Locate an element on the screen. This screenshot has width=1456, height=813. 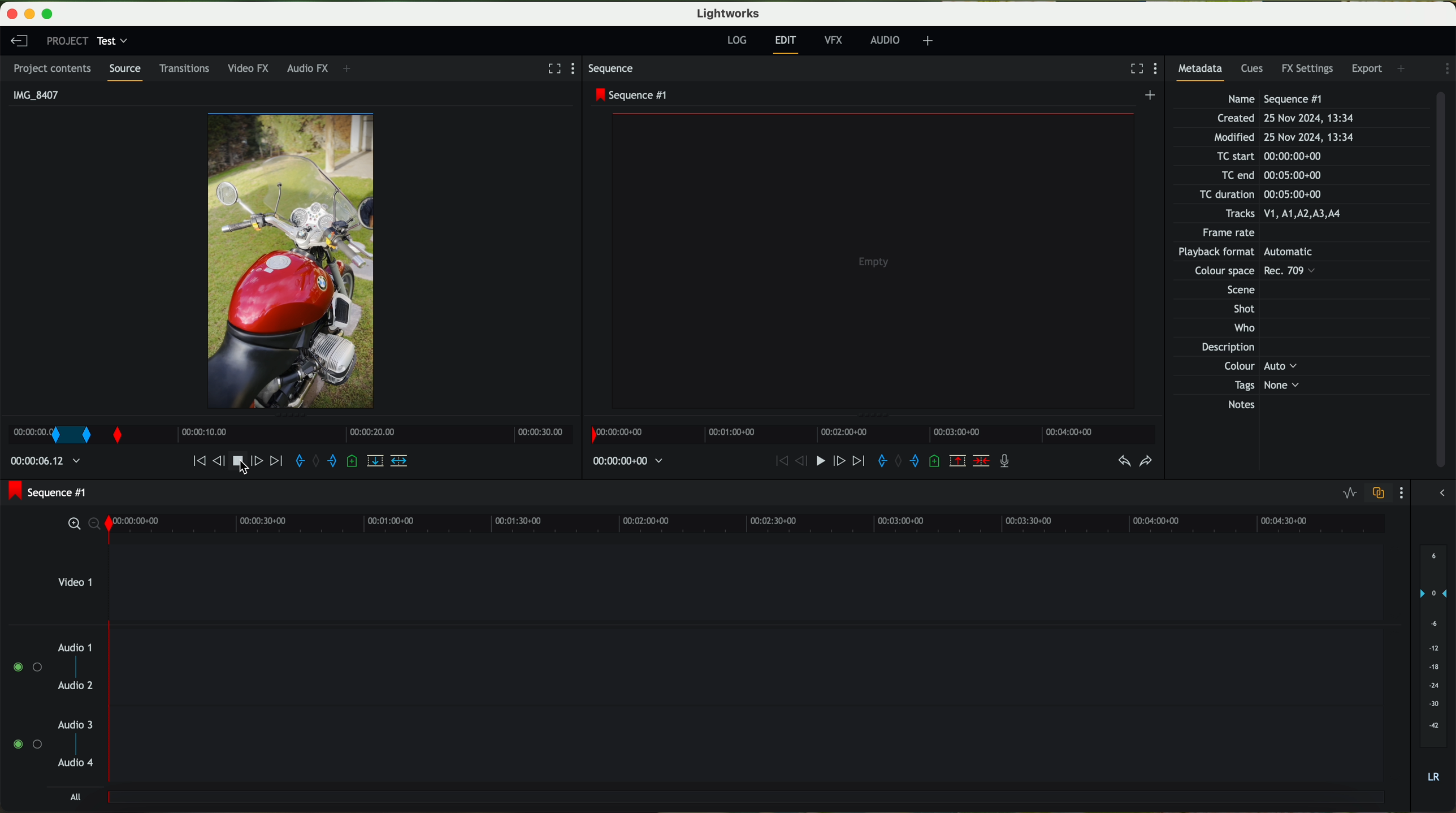
clear marks is located at coordinates (319, 461).